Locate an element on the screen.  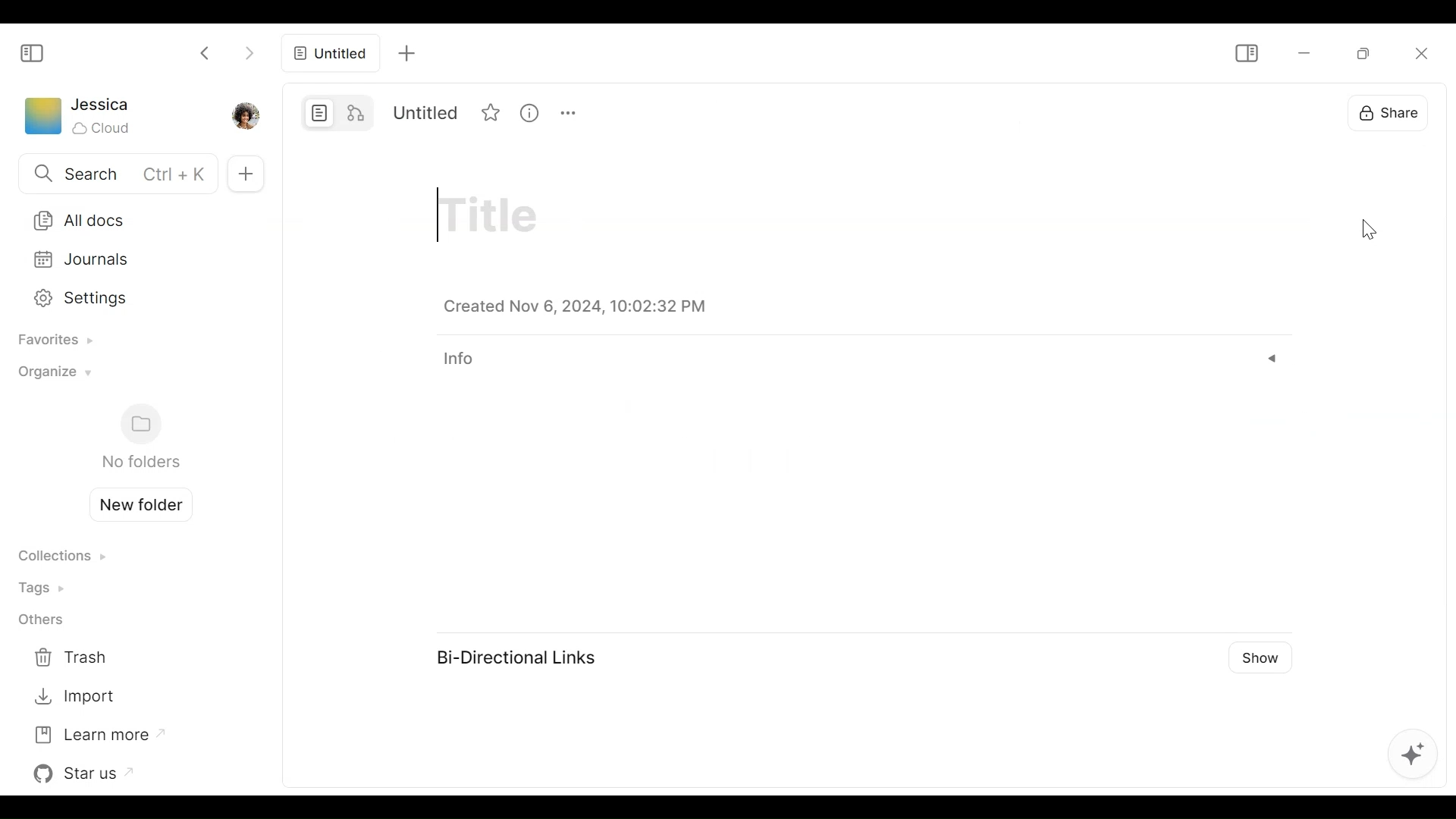
Trash is located at coordinates (74, 658).